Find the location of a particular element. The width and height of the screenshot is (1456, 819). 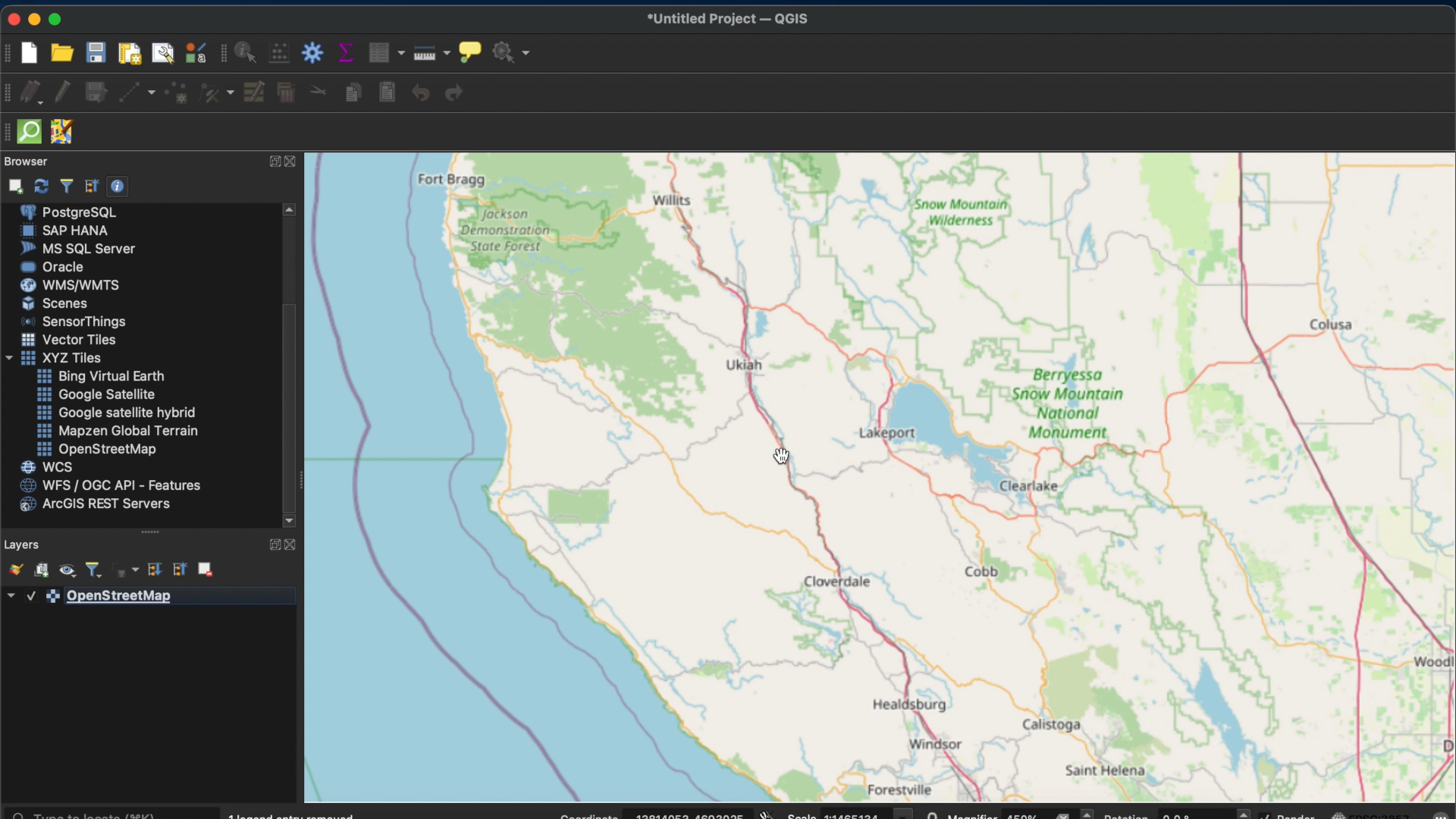

refresh is located at coordinates (42, 184).